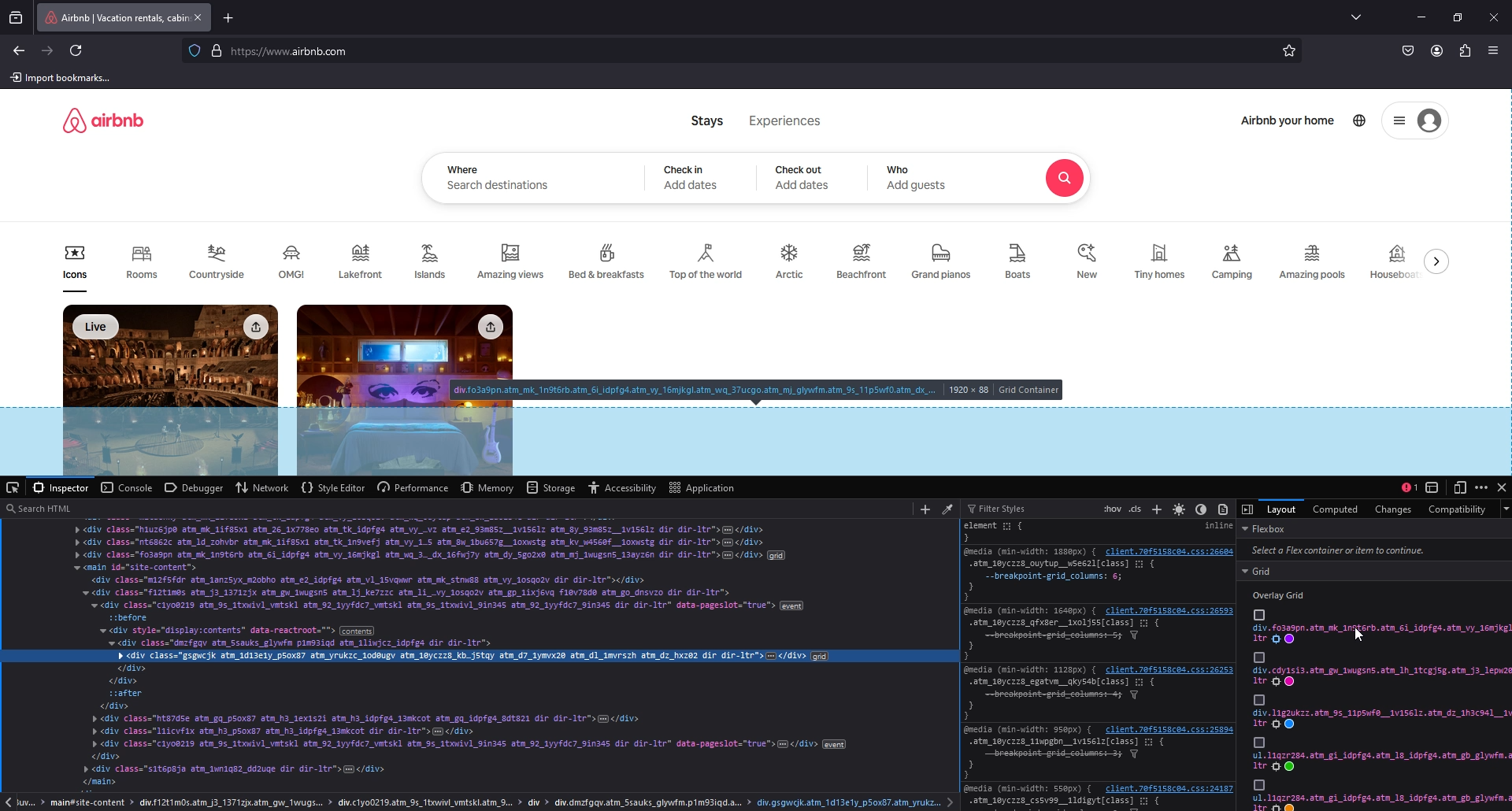  Describe the element at coordinates (220, 261) in the screenshot. I see `Countryside ` at that location.